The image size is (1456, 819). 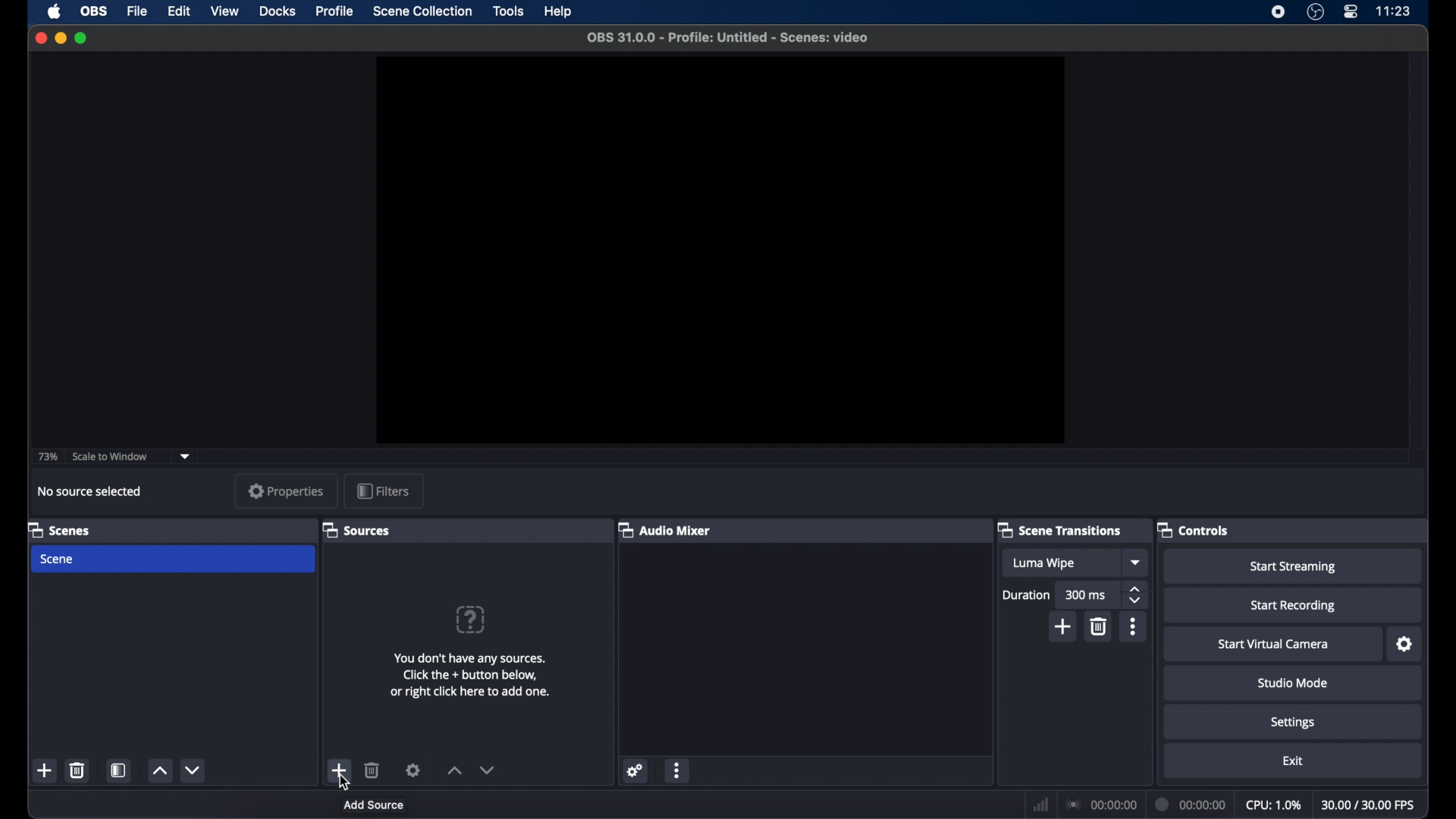 What do you see at coordinates (1293, 682) in the screenshot?
I see `studio  mode` at bounding box center [1293, 682].